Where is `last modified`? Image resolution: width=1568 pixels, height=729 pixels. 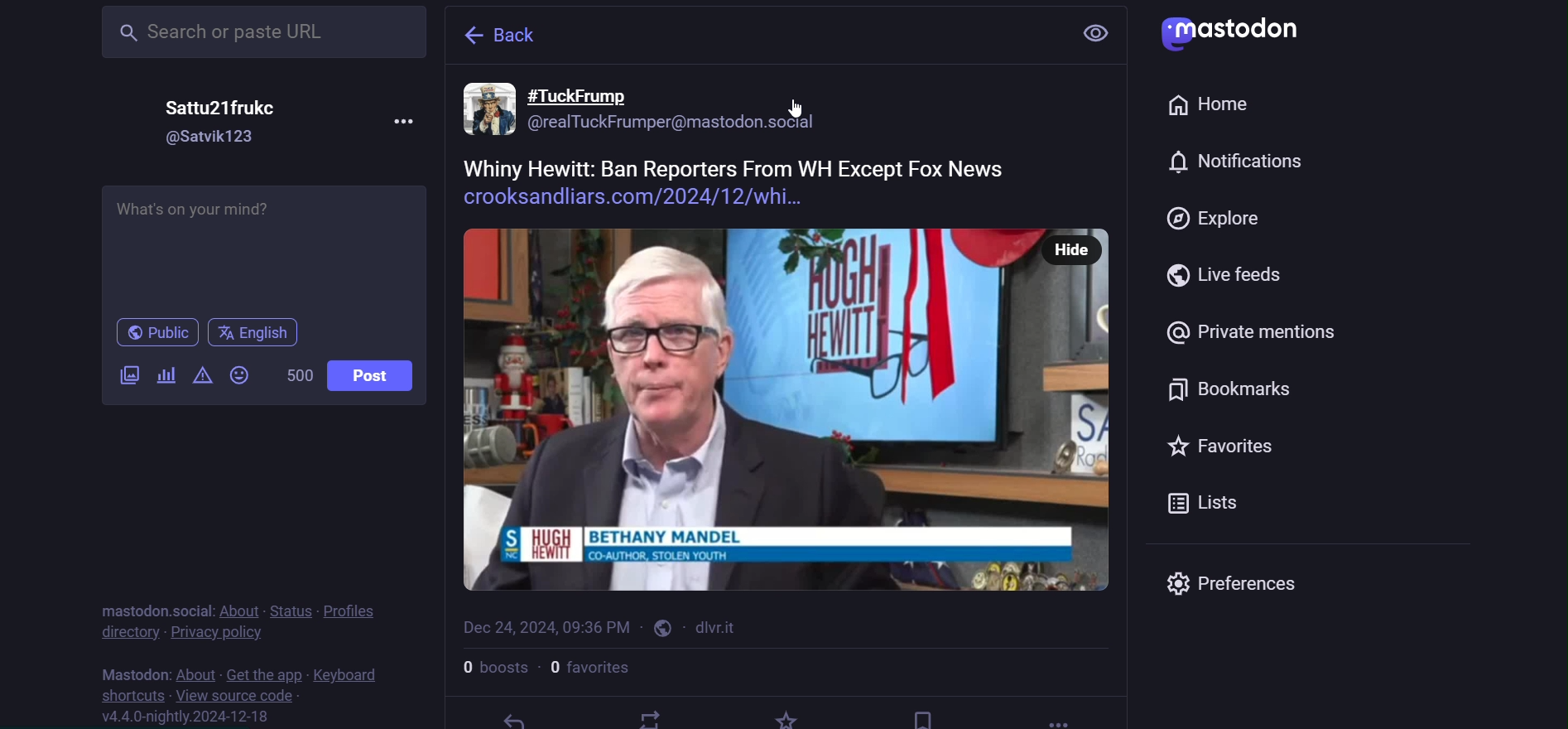 last modified is located at coordinates (544, 623).